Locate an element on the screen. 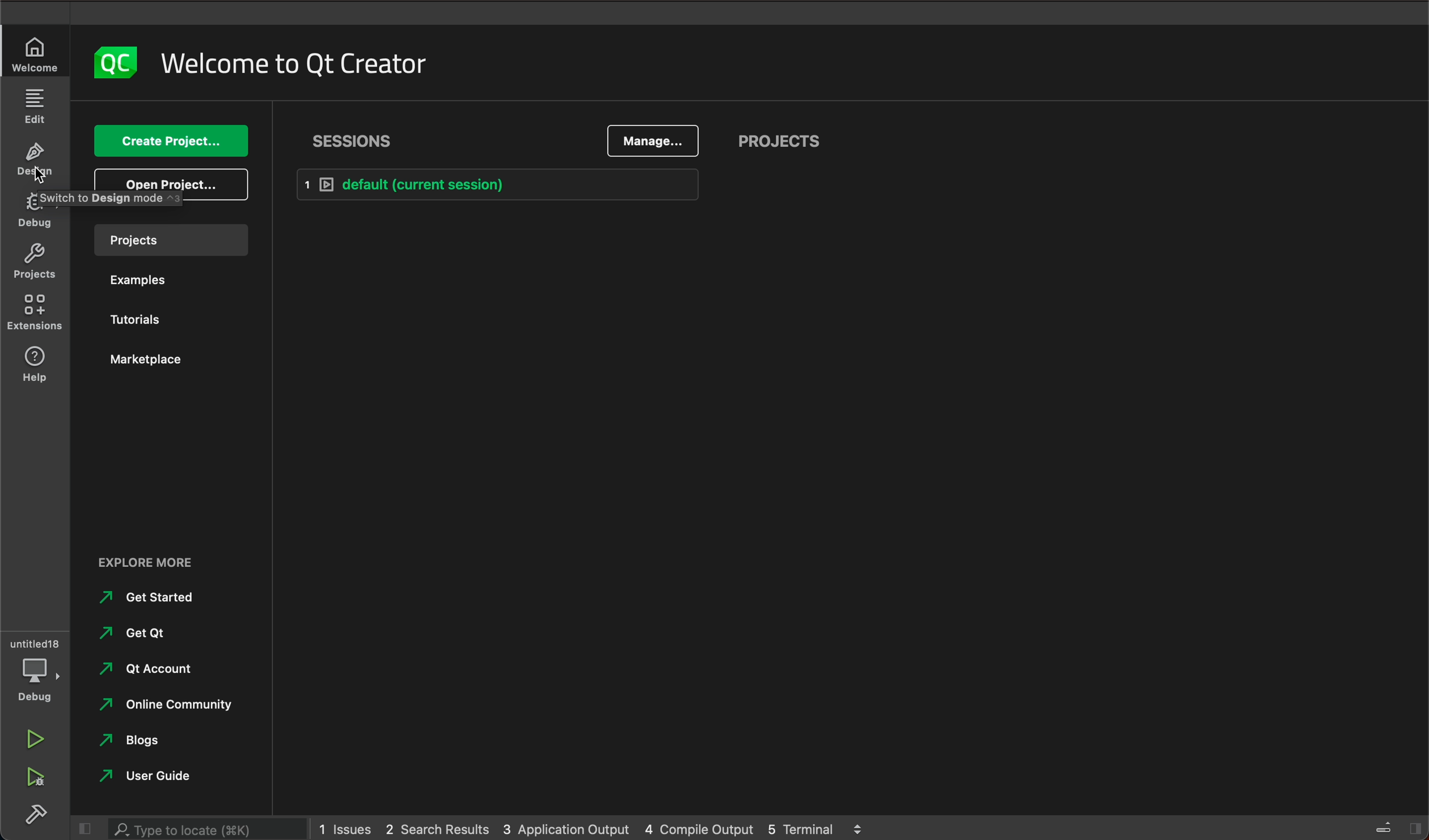  2 search results is located at coordinates (437, 827).